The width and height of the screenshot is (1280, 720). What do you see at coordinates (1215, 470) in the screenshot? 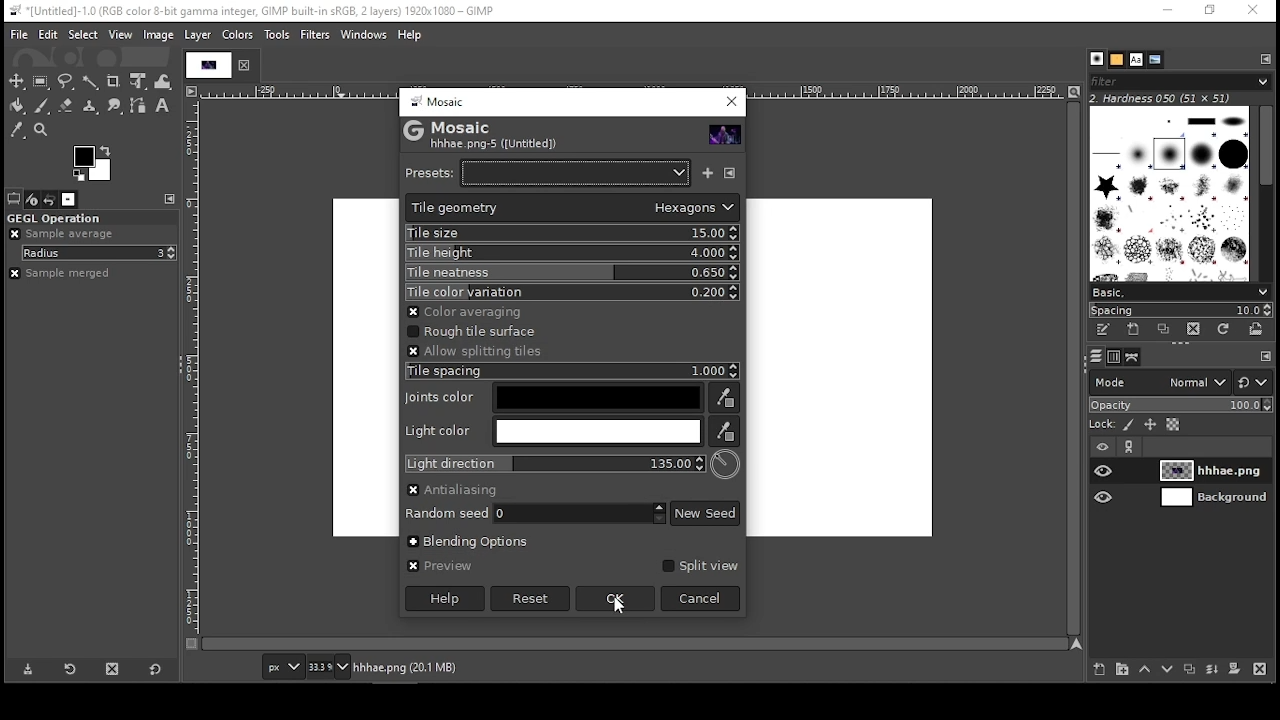
I see `layer ` at bounding box center [1215, 470].